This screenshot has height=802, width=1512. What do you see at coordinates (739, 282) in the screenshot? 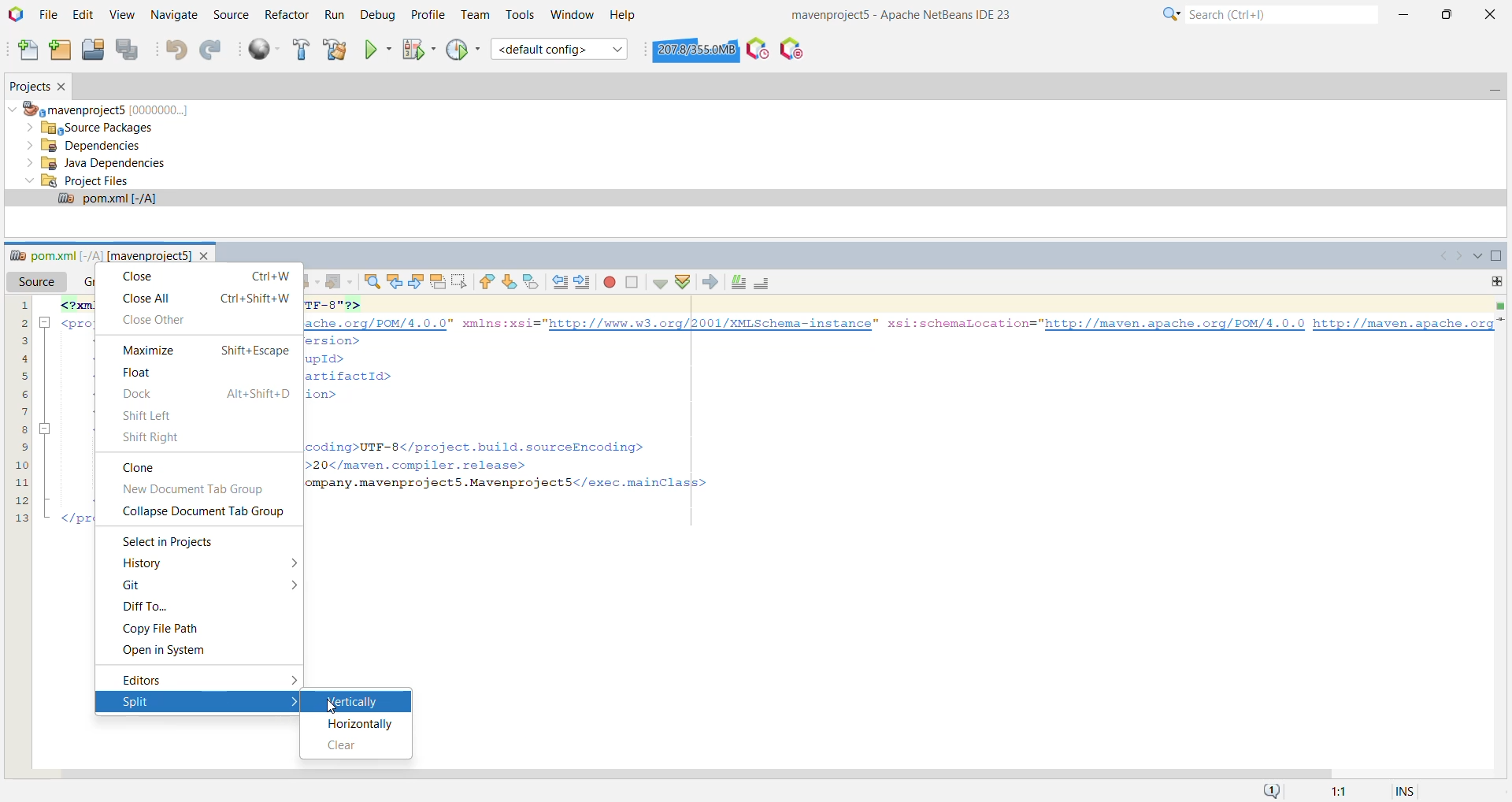
I see `Comment` at bounding box center [739, 282].